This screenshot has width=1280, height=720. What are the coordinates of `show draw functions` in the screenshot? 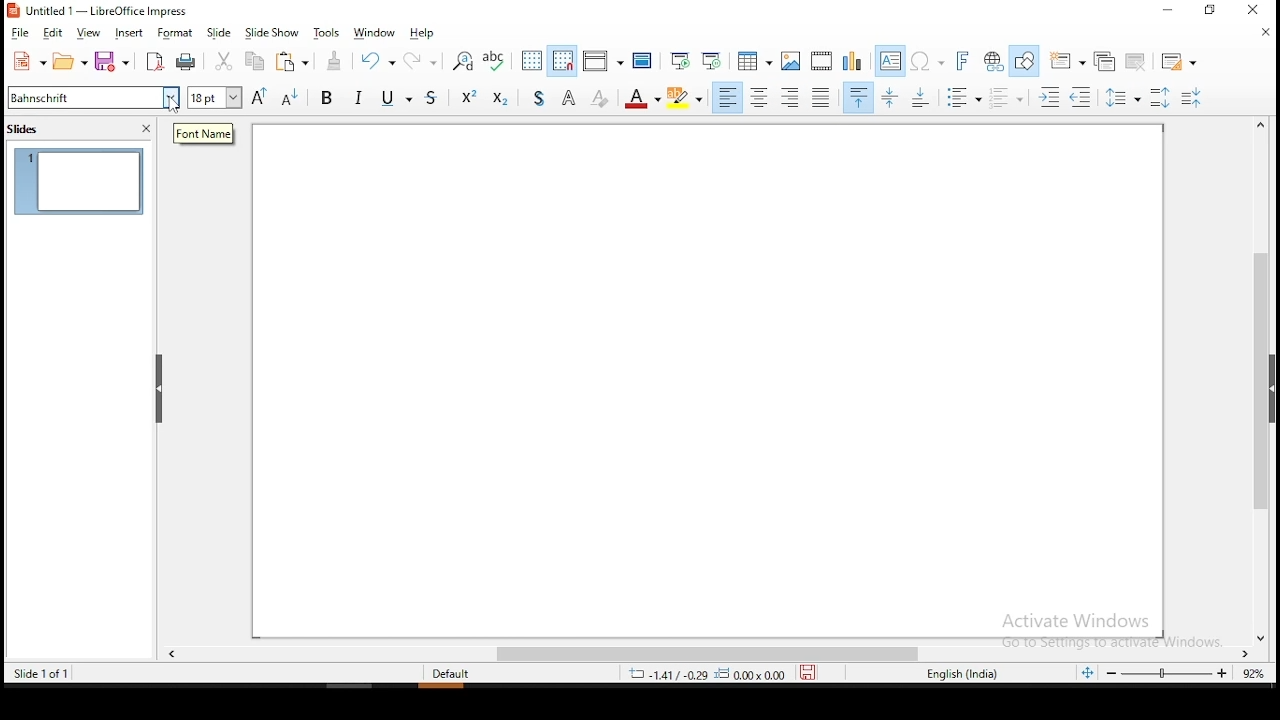 It's located at (1025, 61).